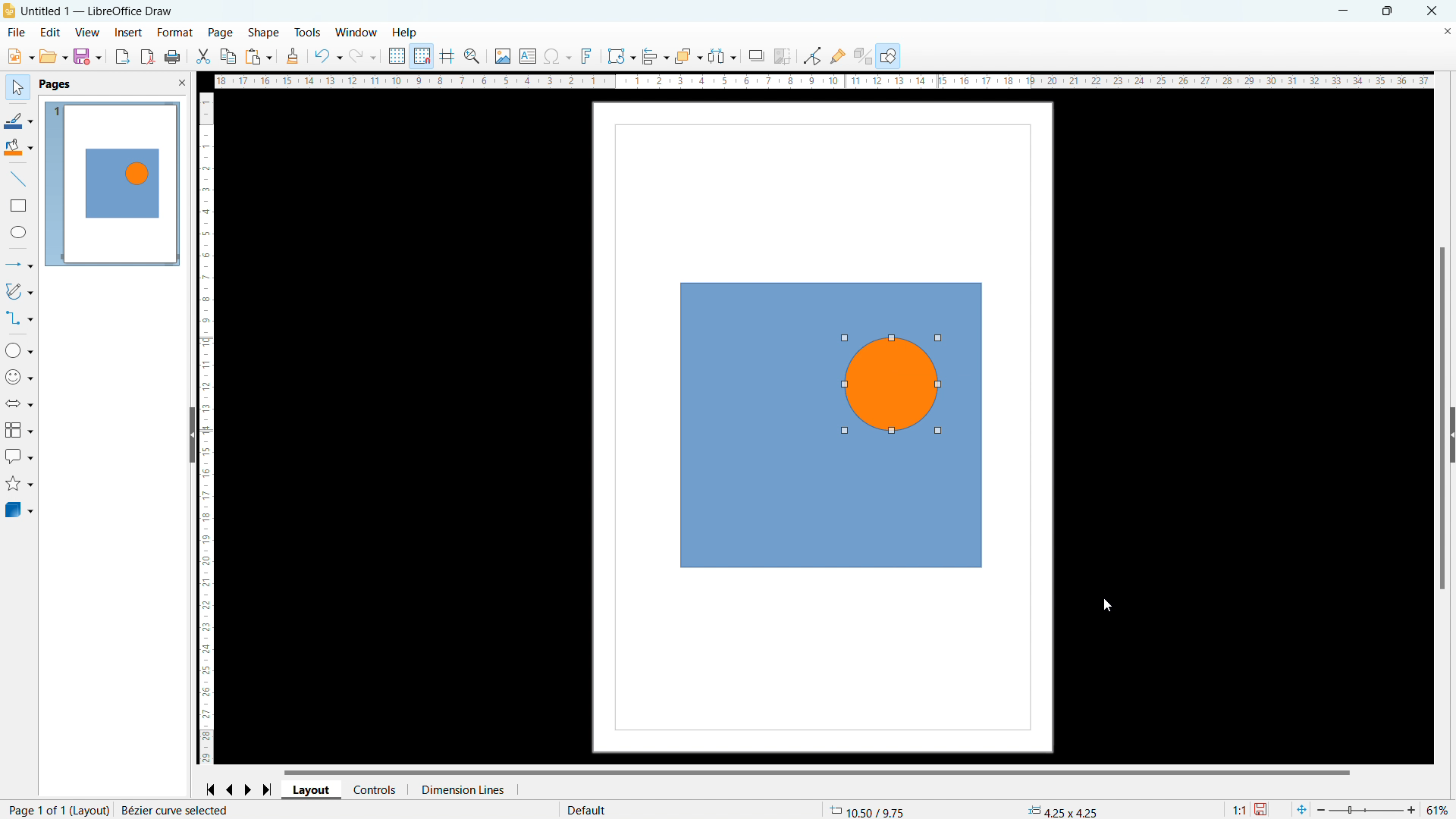 This screenshot has width=1456, height=819. I want to click on Untitled 1 - LibreOffice Draw, so click(98, 11).